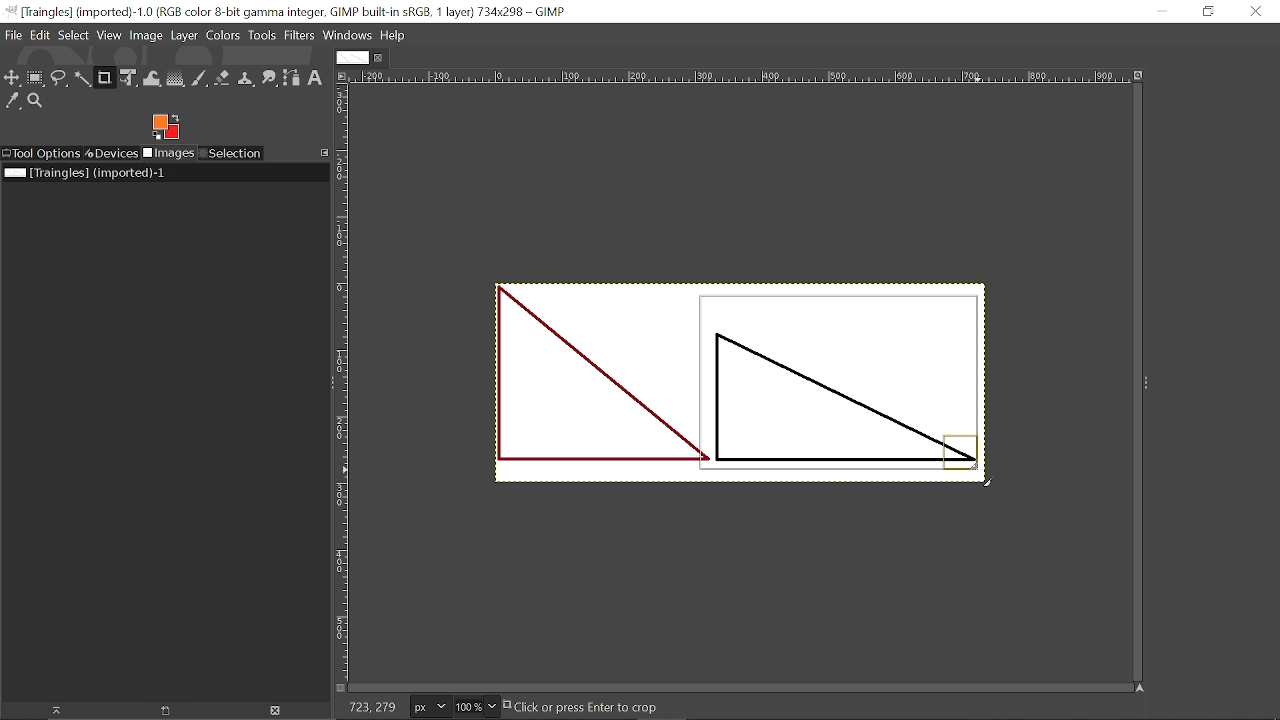 This screenshot has height=720, width=1280. I want to click on Show sidebar menu, so click(1147, 383).